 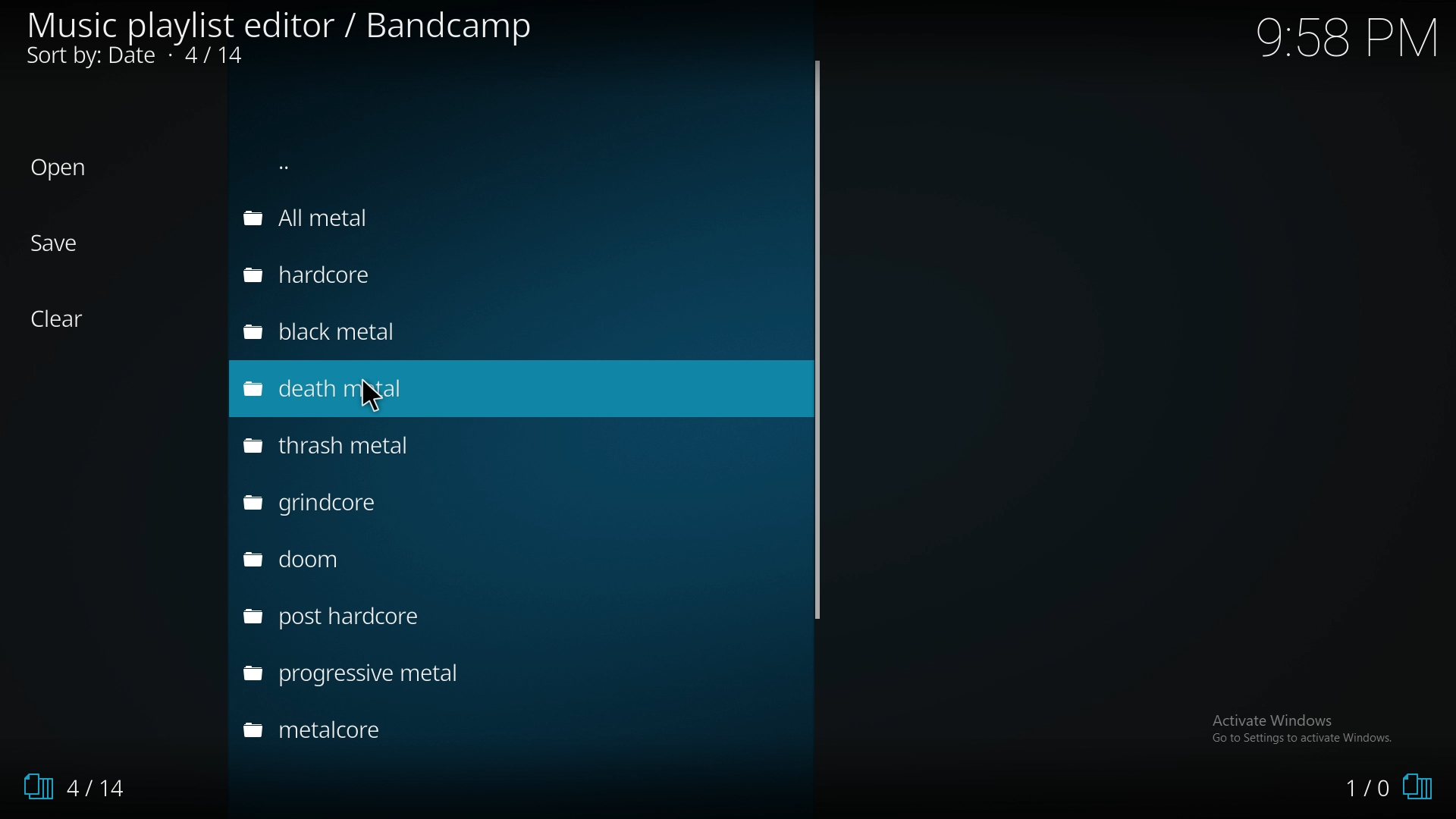 I want to click on 1/0, so click(x=1388, y=789).